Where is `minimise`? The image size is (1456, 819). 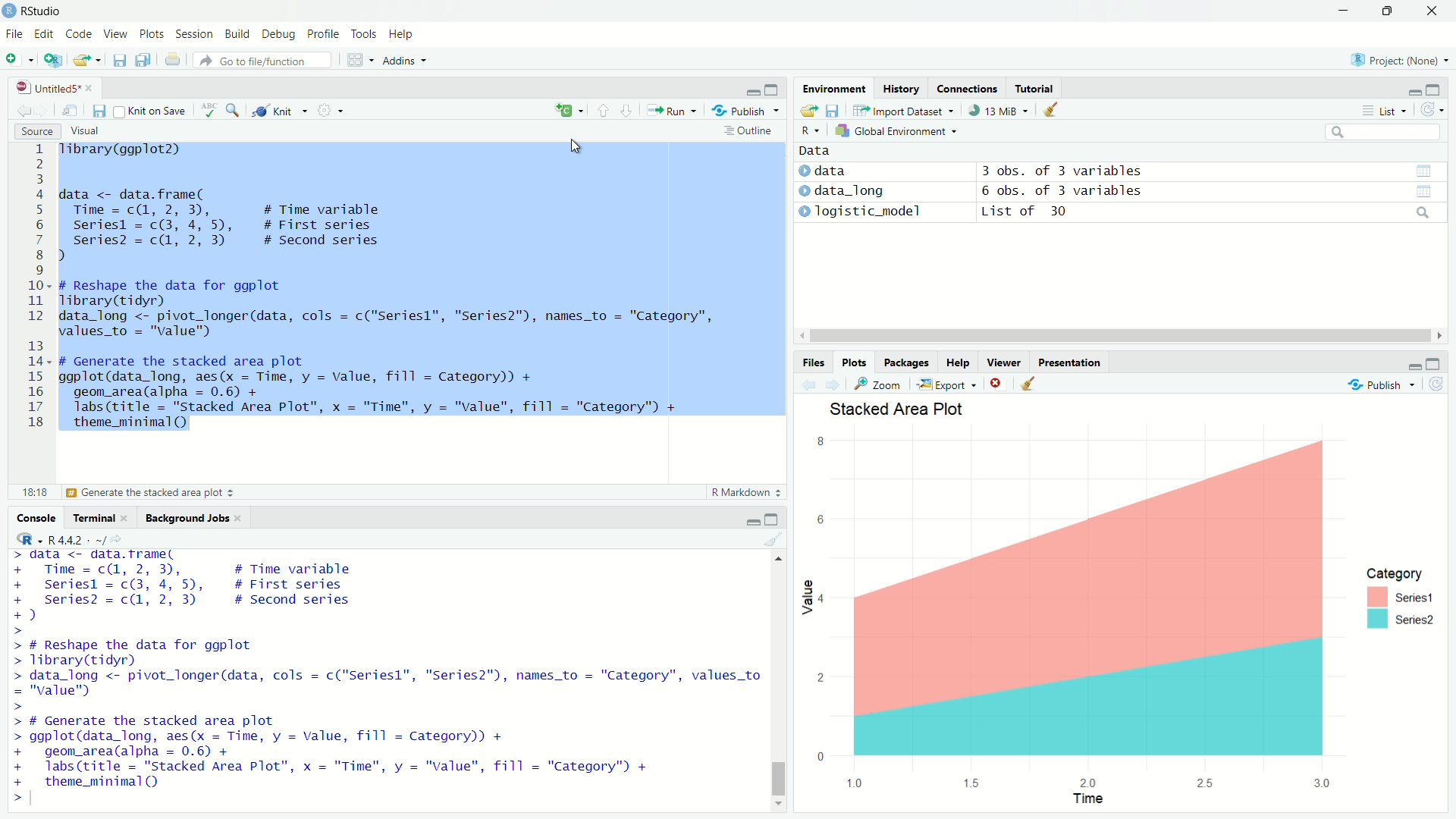
minimise is located at coordinates (1409, 365).